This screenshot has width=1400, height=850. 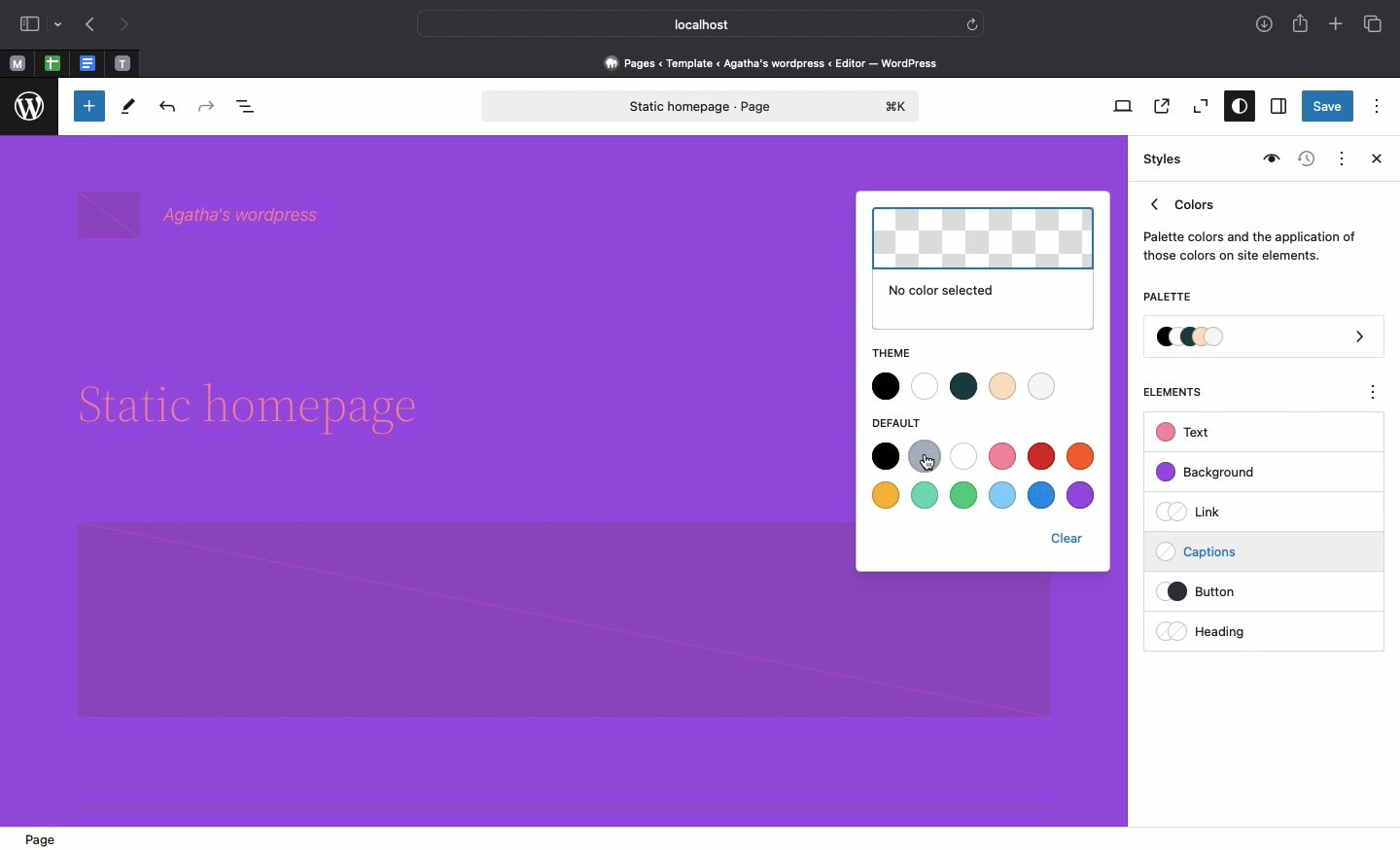 I want to click on Text, so click(x=1186, y=433).